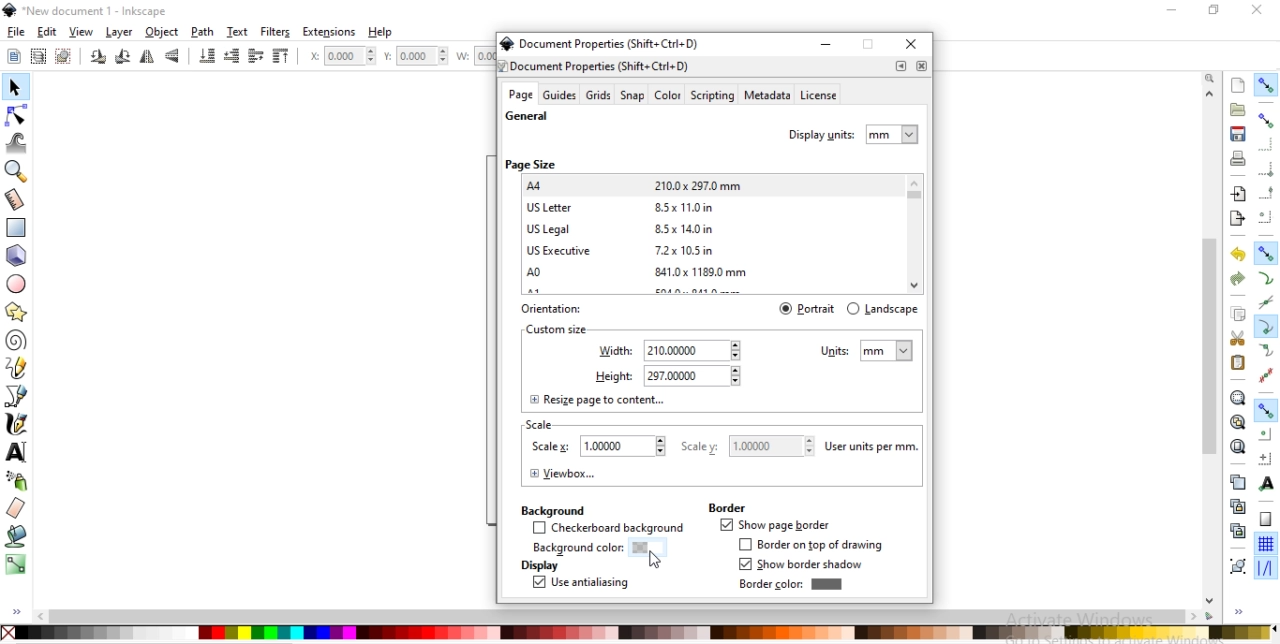  Describe the element at coordinates (16, 507) in the screenshot. I see `erase existing paths` at that location.